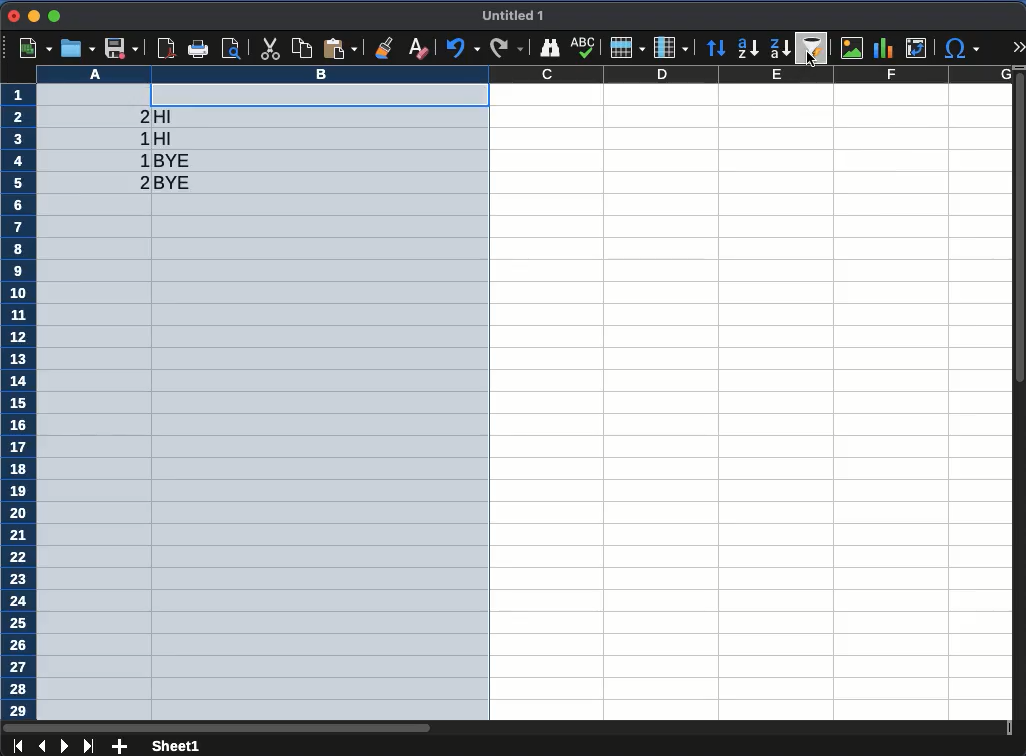 The height and width of the screenshot is (756, 1026). Describe the element at coordinates (303, 48) in the screenshot. I see `paste` at that location.